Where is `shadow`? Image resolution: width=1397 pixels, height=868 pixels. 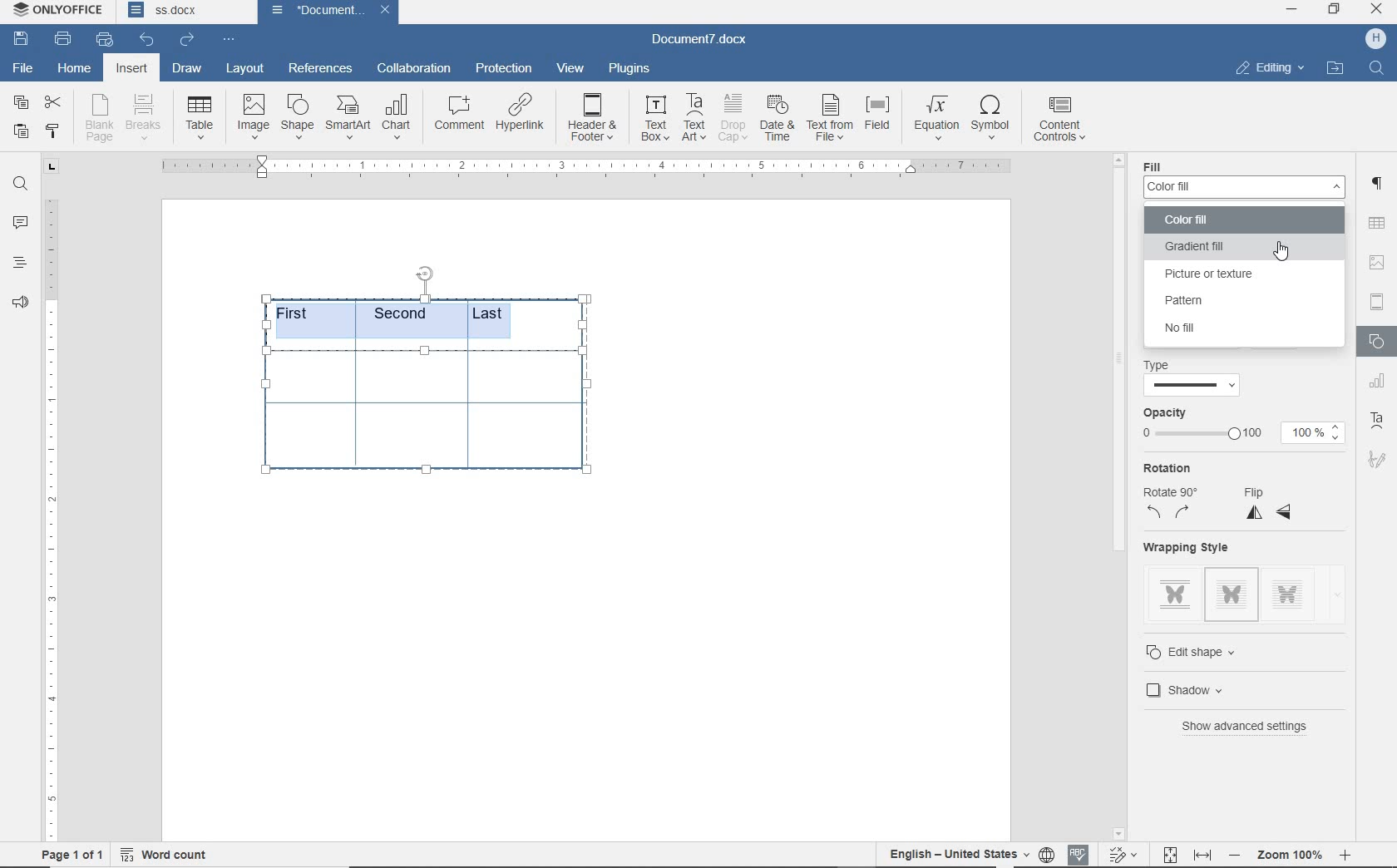 shadow is located at coordinates (1199, 688).